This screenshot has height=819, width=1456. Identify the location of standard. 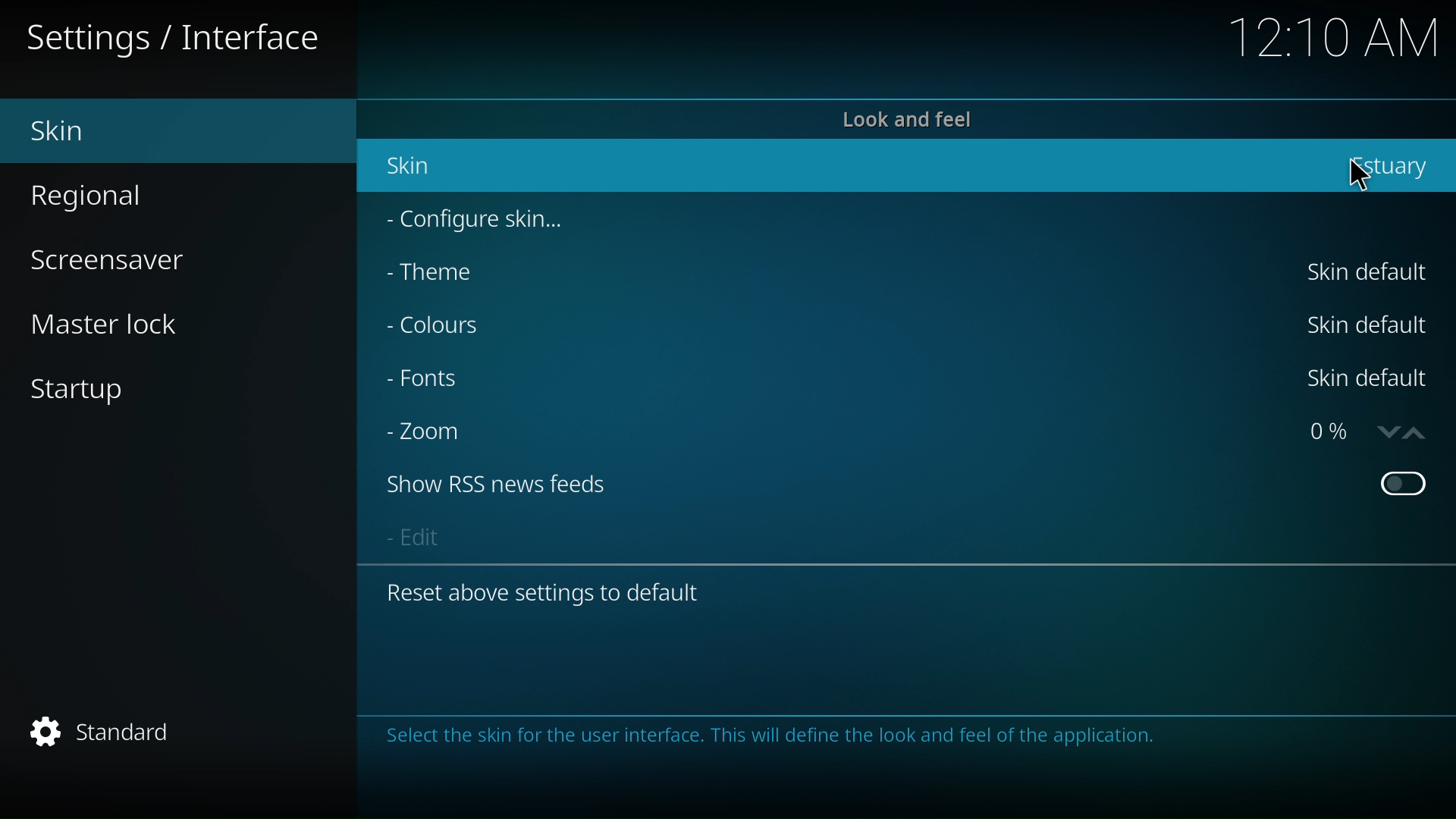
(112, 730).